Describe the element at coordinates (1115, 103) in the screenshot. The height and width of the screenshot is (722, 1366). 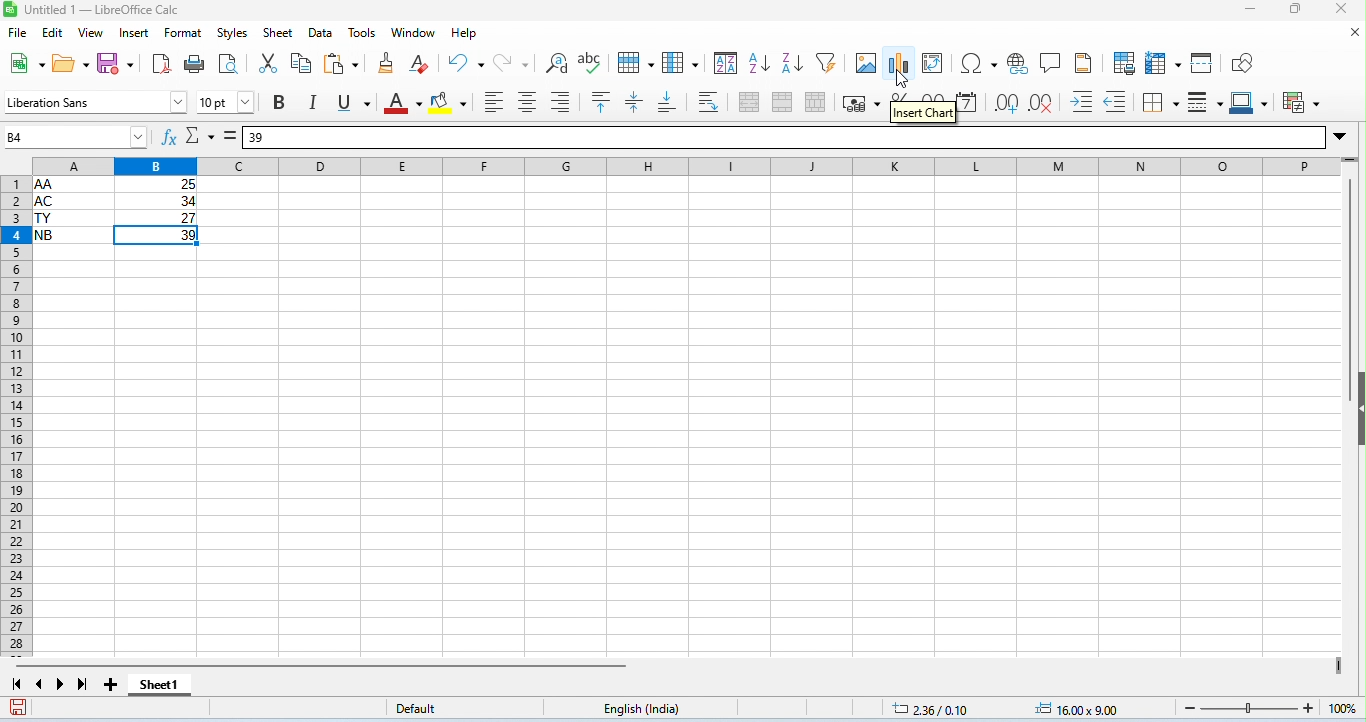
I see `decrease indent` at that location.